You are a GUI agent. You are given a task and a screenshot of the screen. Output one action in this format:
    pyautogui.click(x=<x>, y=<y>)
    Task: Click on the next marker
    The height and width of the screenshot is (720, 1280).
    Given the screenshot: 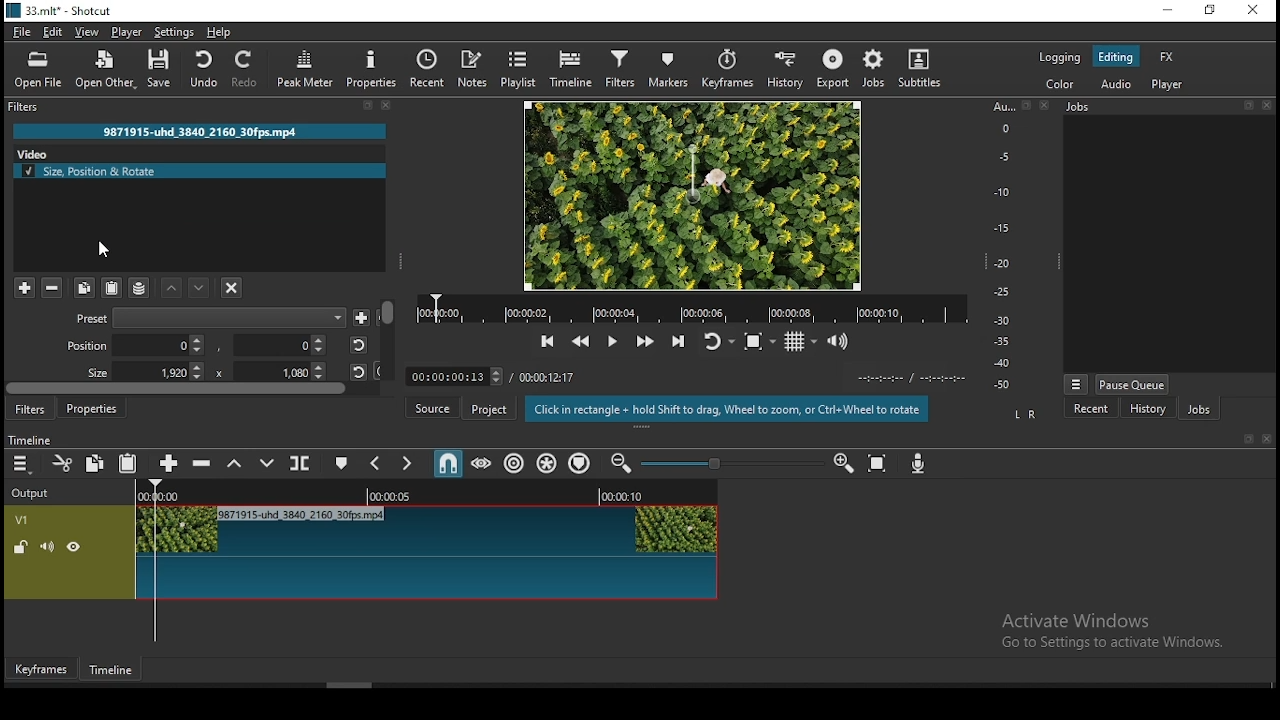 What is the action you would take?
    pyautogui.click(x=408, y=467)
    